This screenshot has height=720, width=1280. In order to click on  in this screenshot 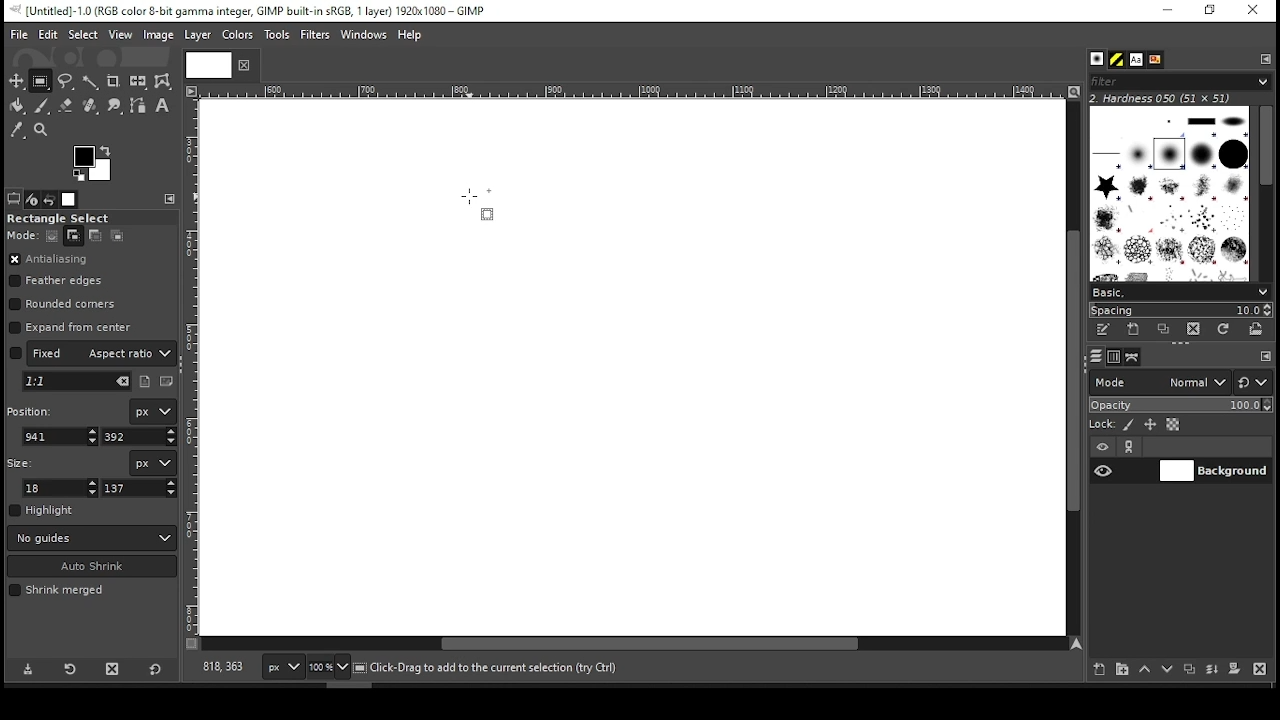, I will do `click(193, 367)`.